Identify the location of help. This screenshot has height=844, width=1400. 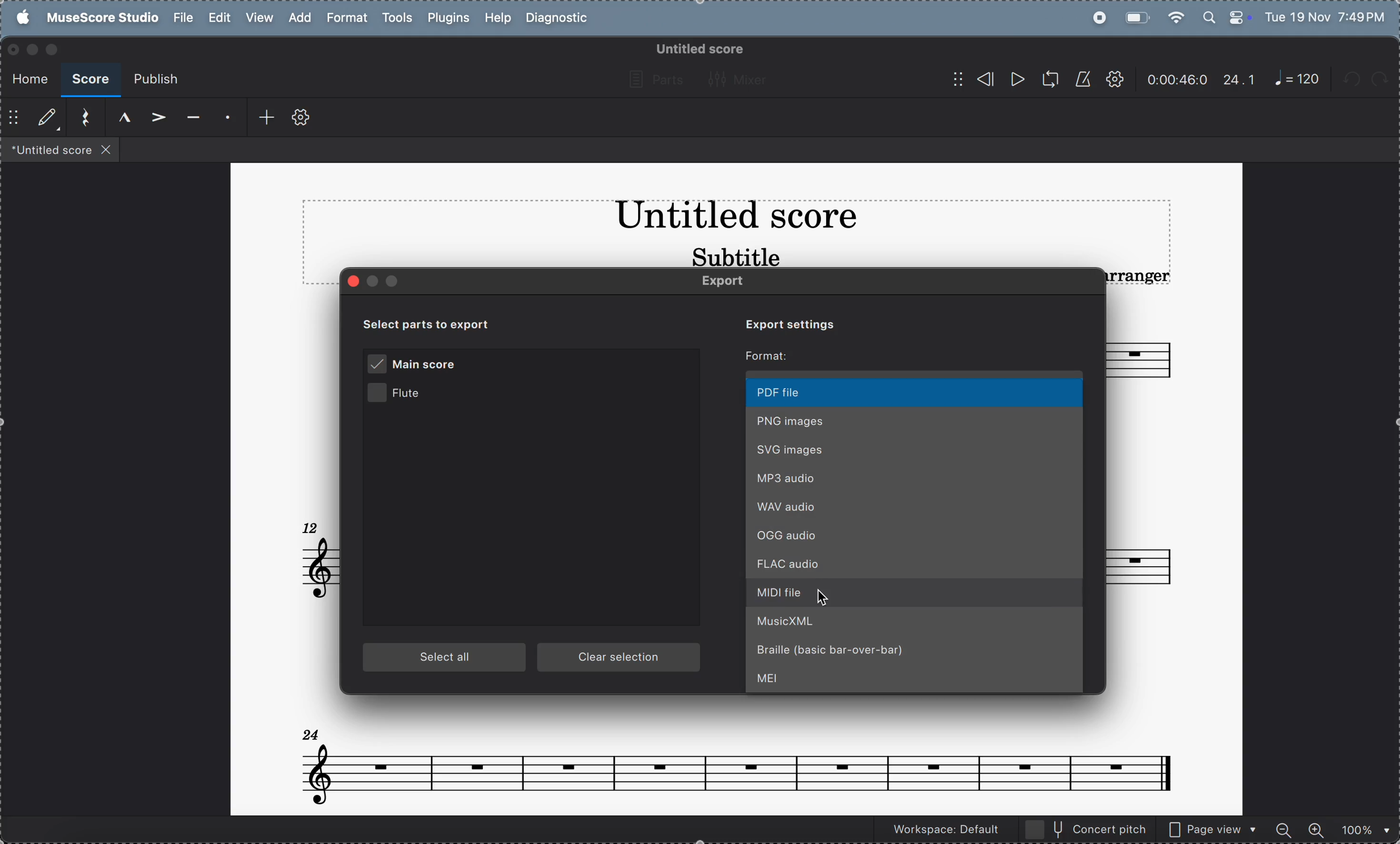
(497, 19).